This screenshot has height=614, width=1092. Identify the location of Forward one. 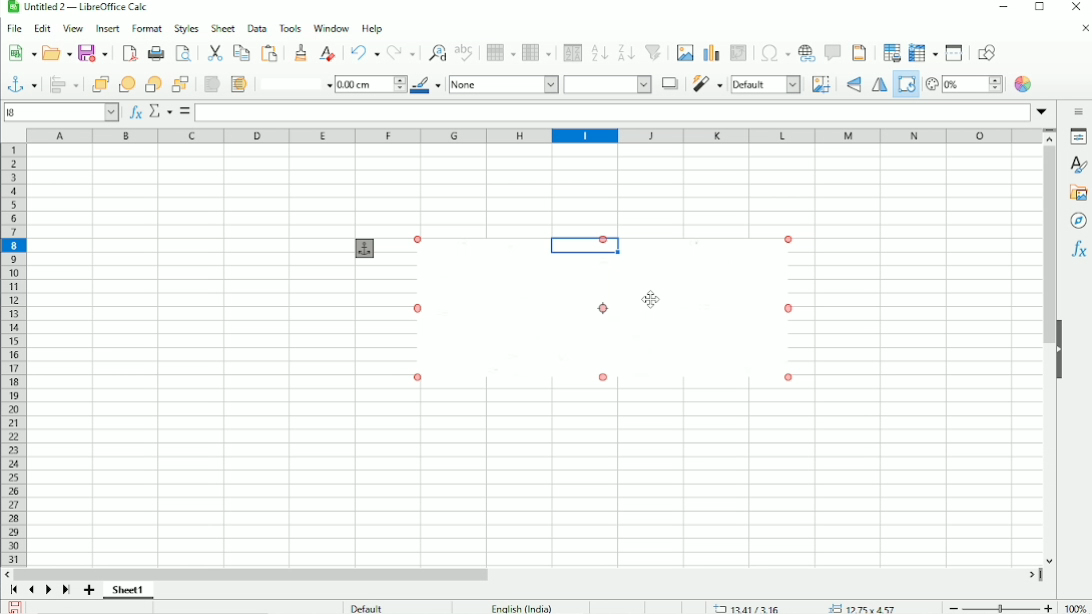
(125, 83).